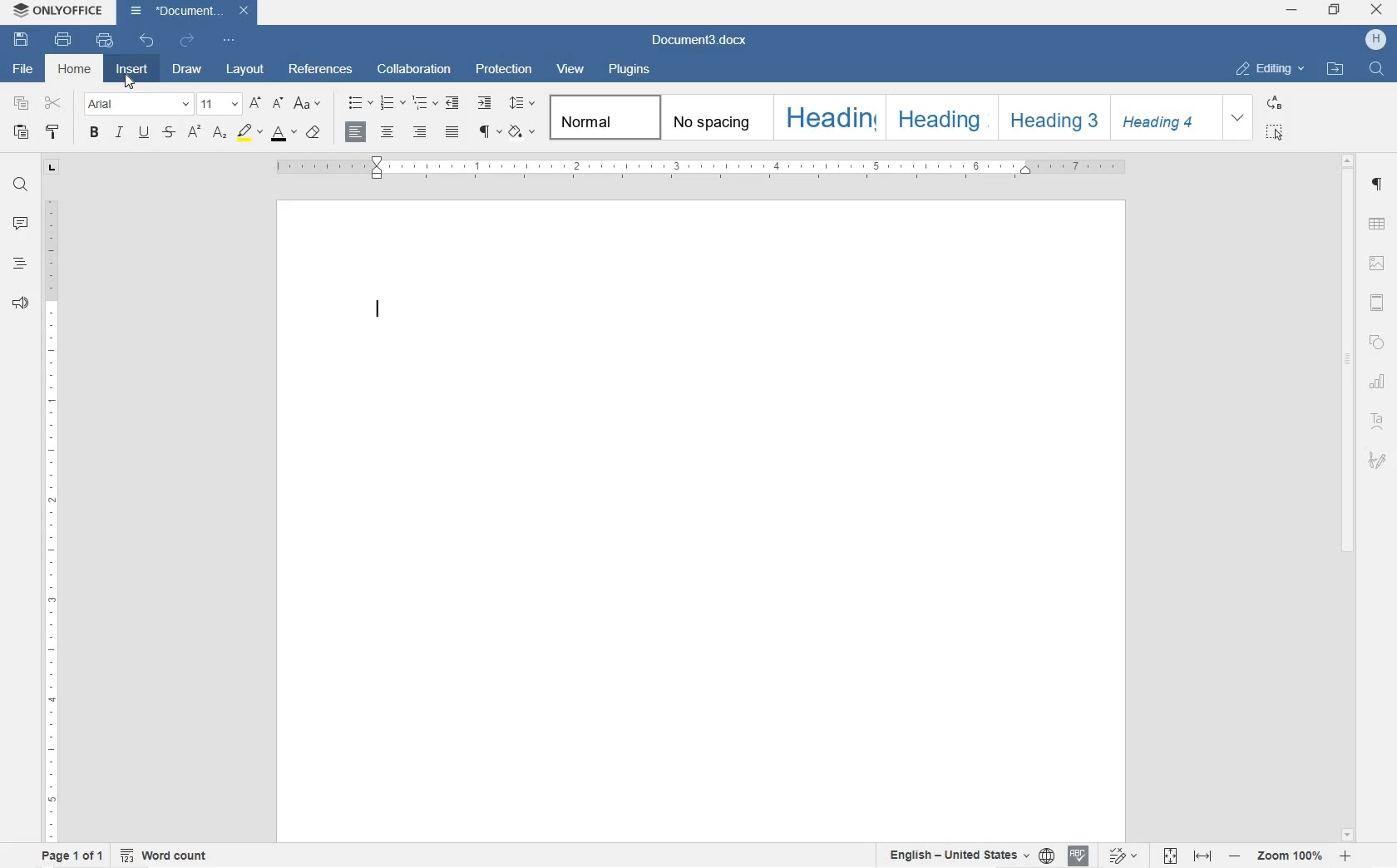 This screenshot has width=1397, height=868. What do you see at coordinates (1293, 11) in the screenshot?
I see `MINIMIZE` at bounding box center [1293, 11].